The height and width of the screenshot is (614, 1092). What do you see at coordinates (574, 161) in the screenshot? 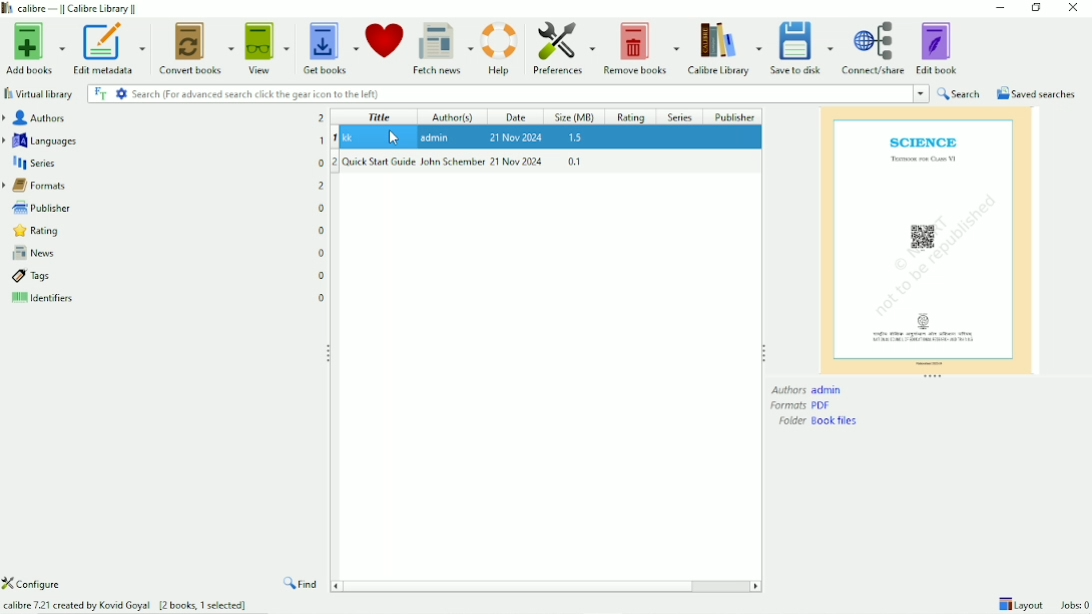
I see `0.1` at bounding box center [574, 161].